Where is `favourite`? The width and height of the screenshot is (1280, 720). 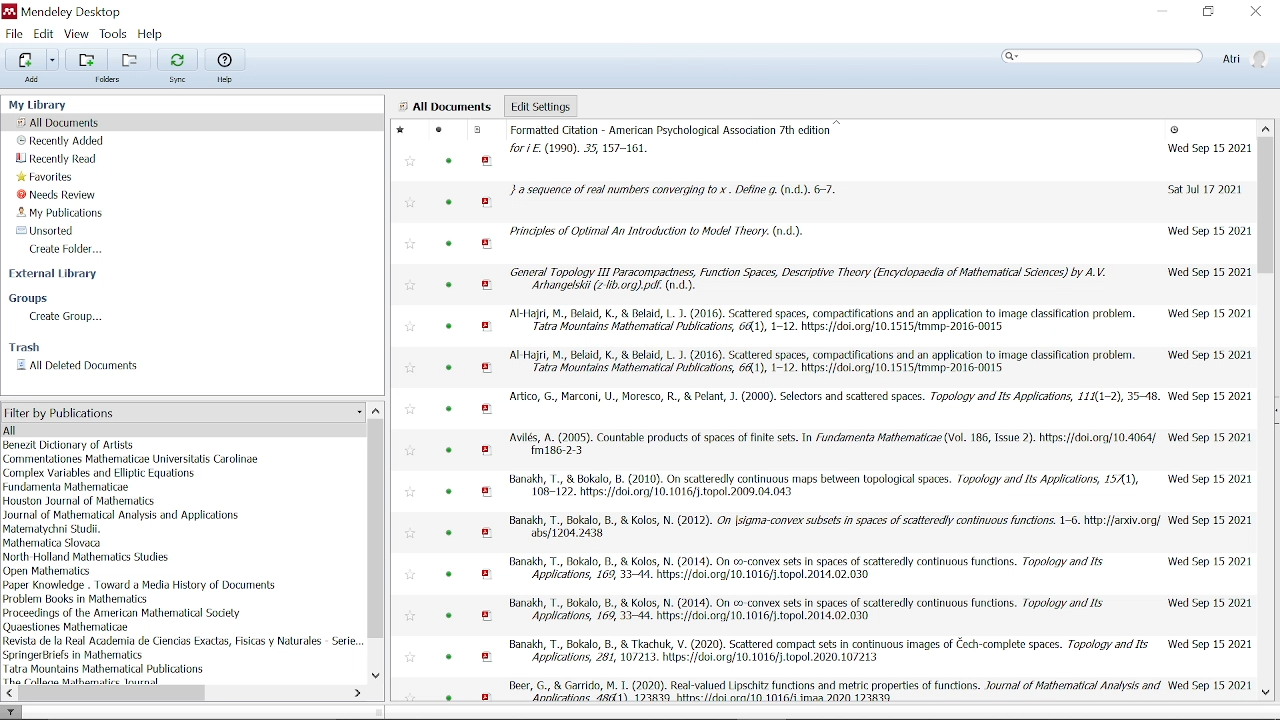 favourite is located at coordinates (412, 286).